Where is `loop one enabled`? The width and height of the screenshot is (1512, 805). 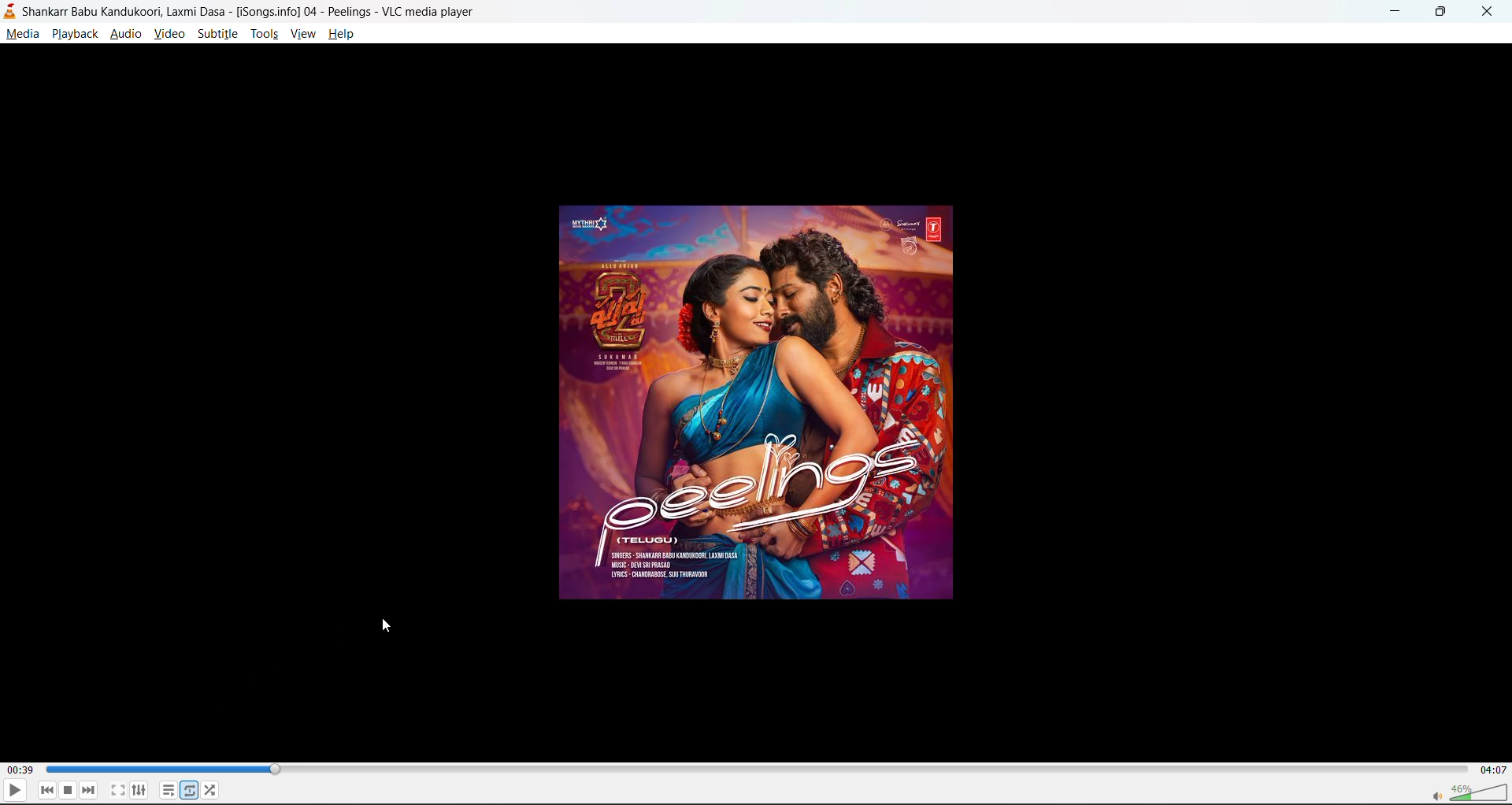
loop one enabled is located at coordinates (188, 789).